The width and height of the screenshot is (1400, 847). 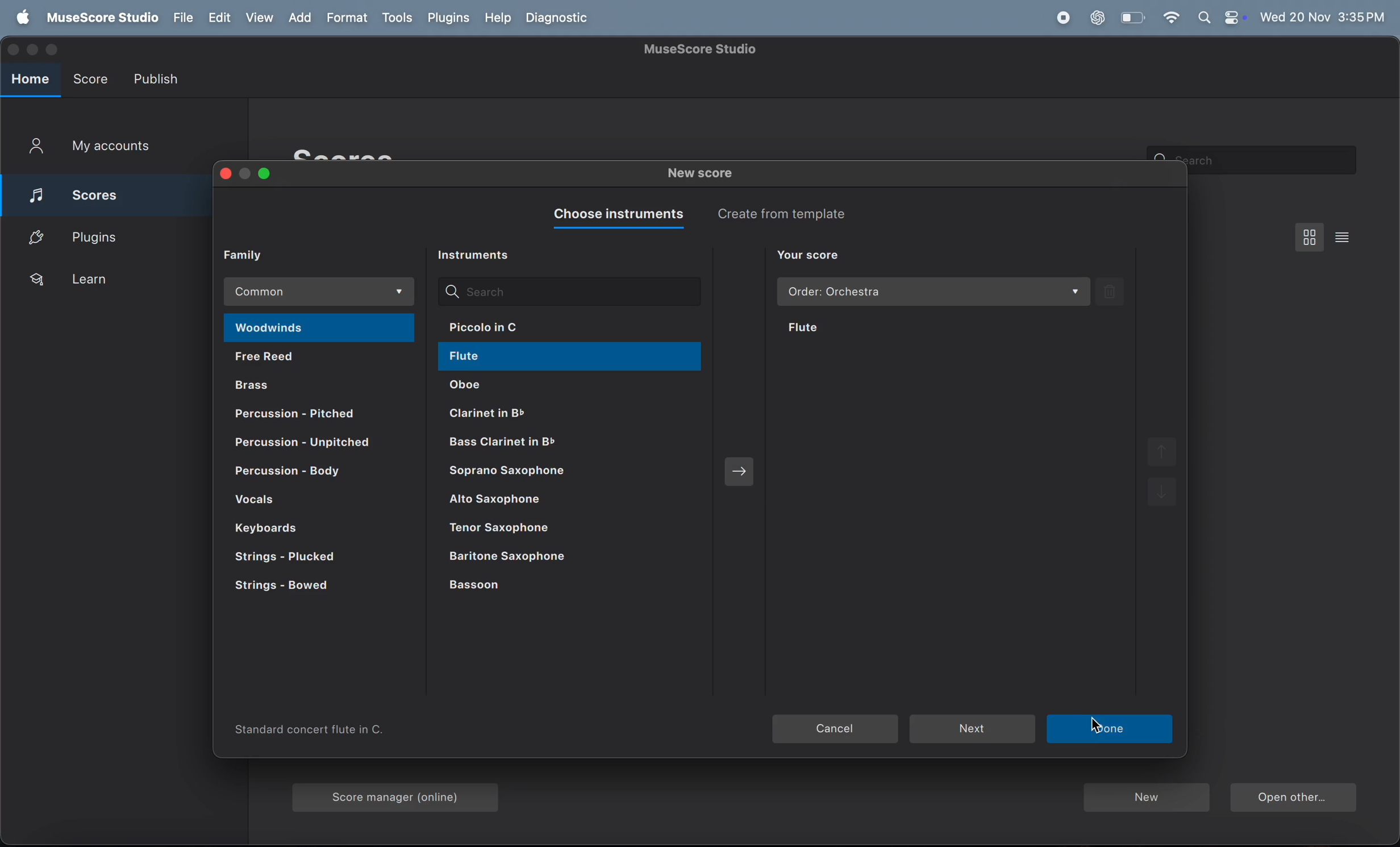 What do you see at coordinates (106, 280) in the screenshot?
I see `learn` at bounding box center [106, 280].